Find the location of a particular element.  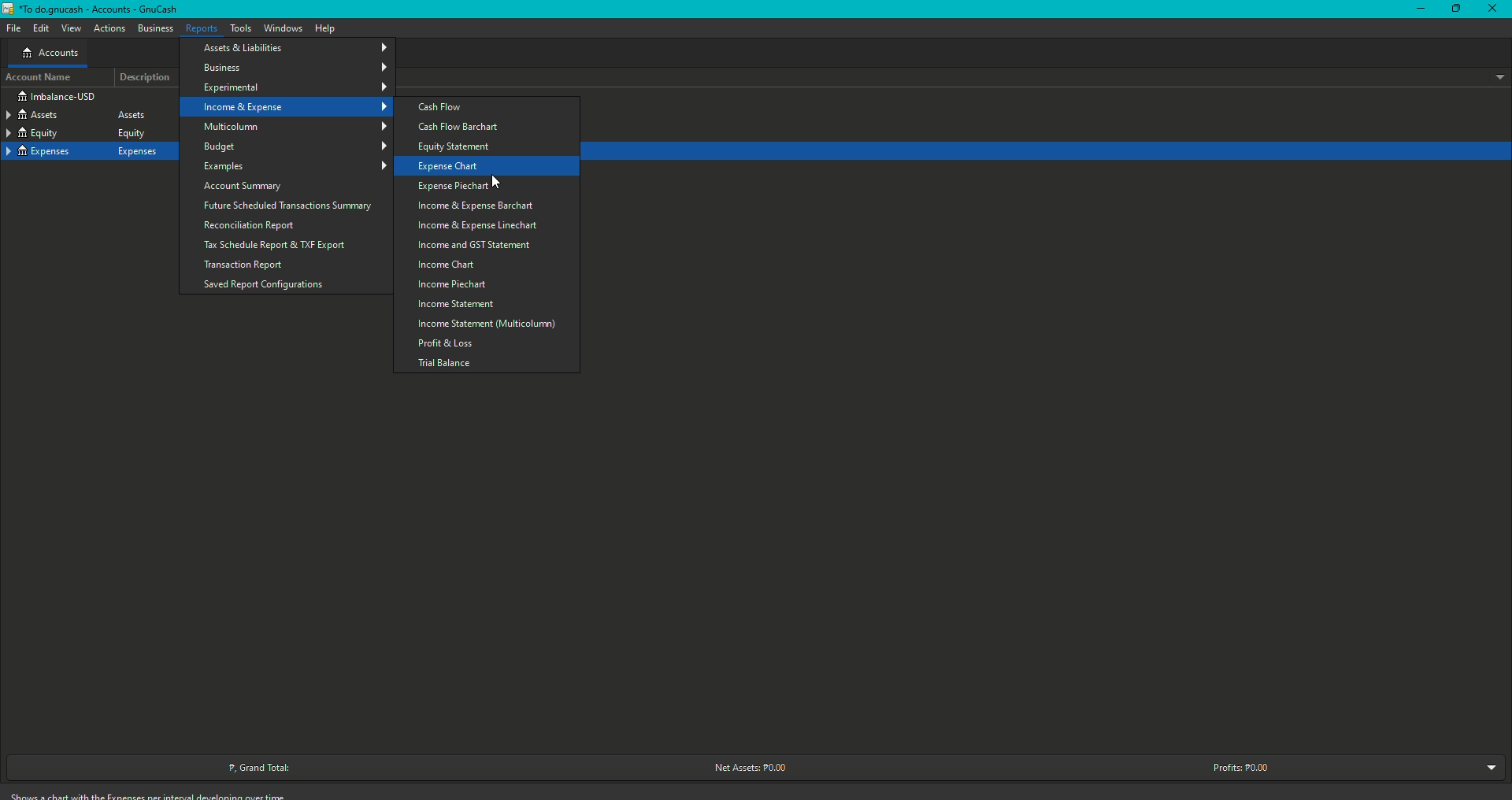

Equity Statement is located at coordinates (458, 147).